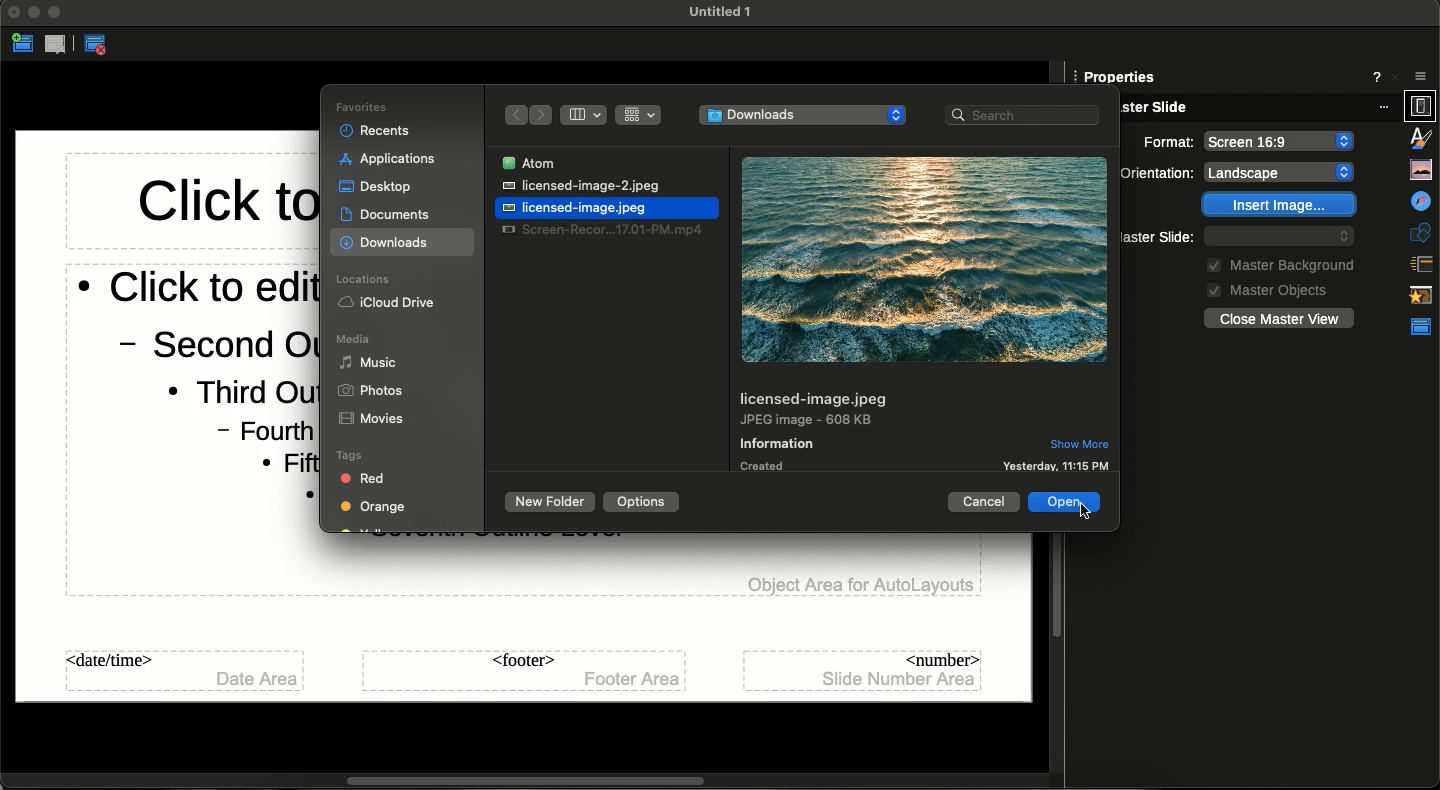  Describe the element at coordinates (22, 45) in the screenshot. I see `New master` at that location.